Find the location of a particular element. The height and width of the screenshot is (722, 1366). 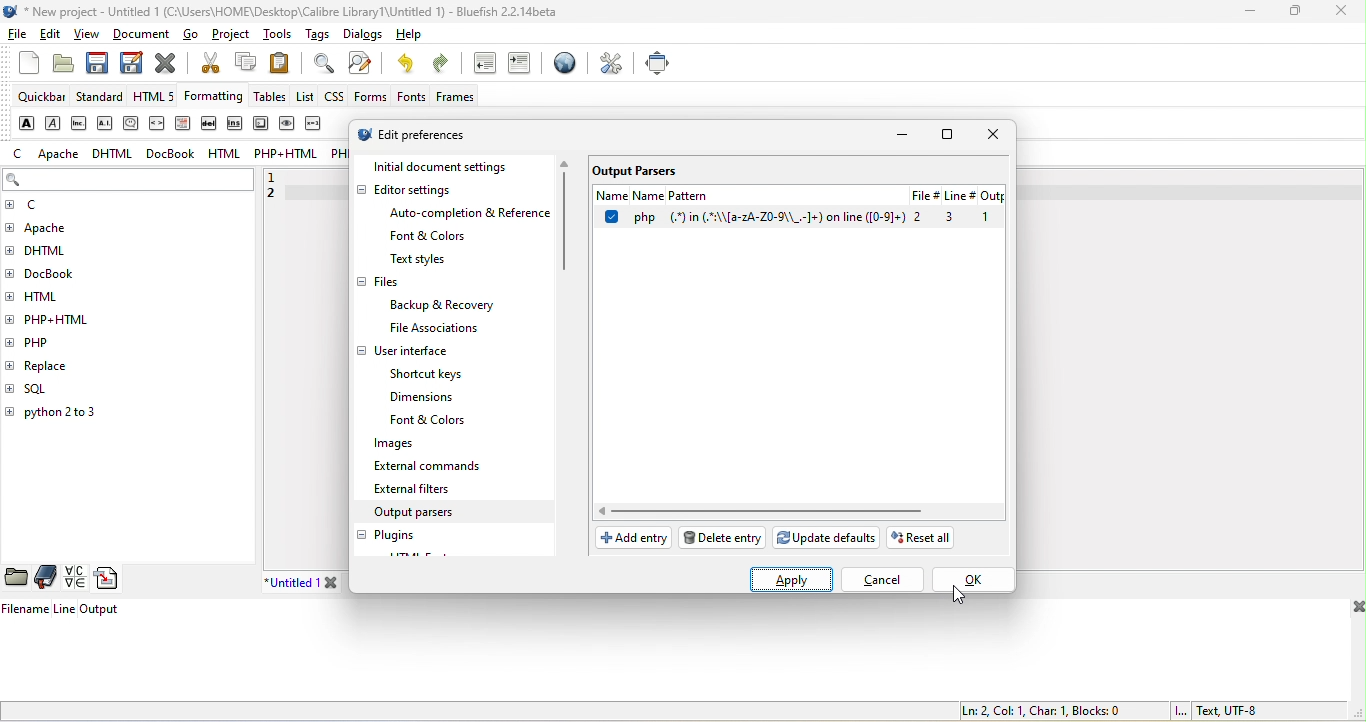

auto completion & reference is located at coordinates (474, 213).